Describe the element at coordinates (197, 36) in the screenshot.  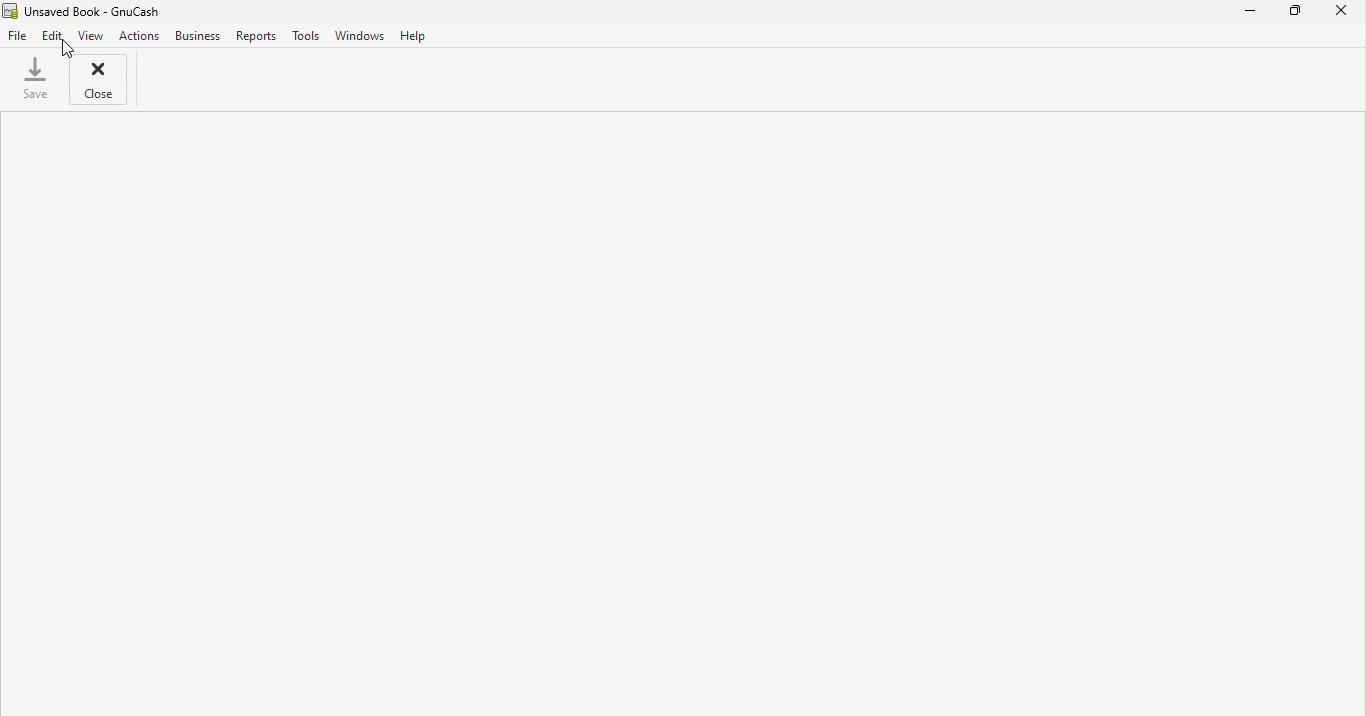
I see `Business` at that location.